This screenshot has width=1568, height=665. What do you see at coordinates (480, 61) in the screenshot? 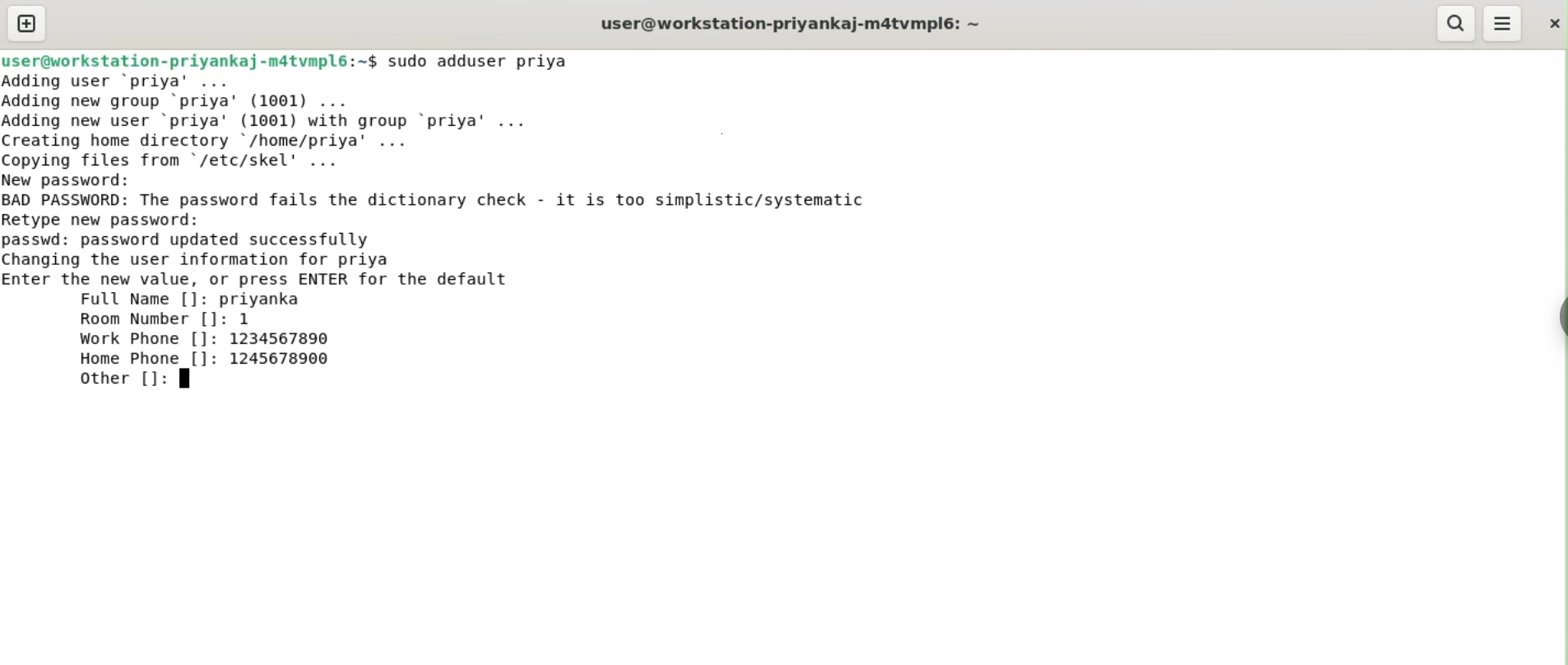
I see `sudo adduser priya` at bounding box center [480, 61].